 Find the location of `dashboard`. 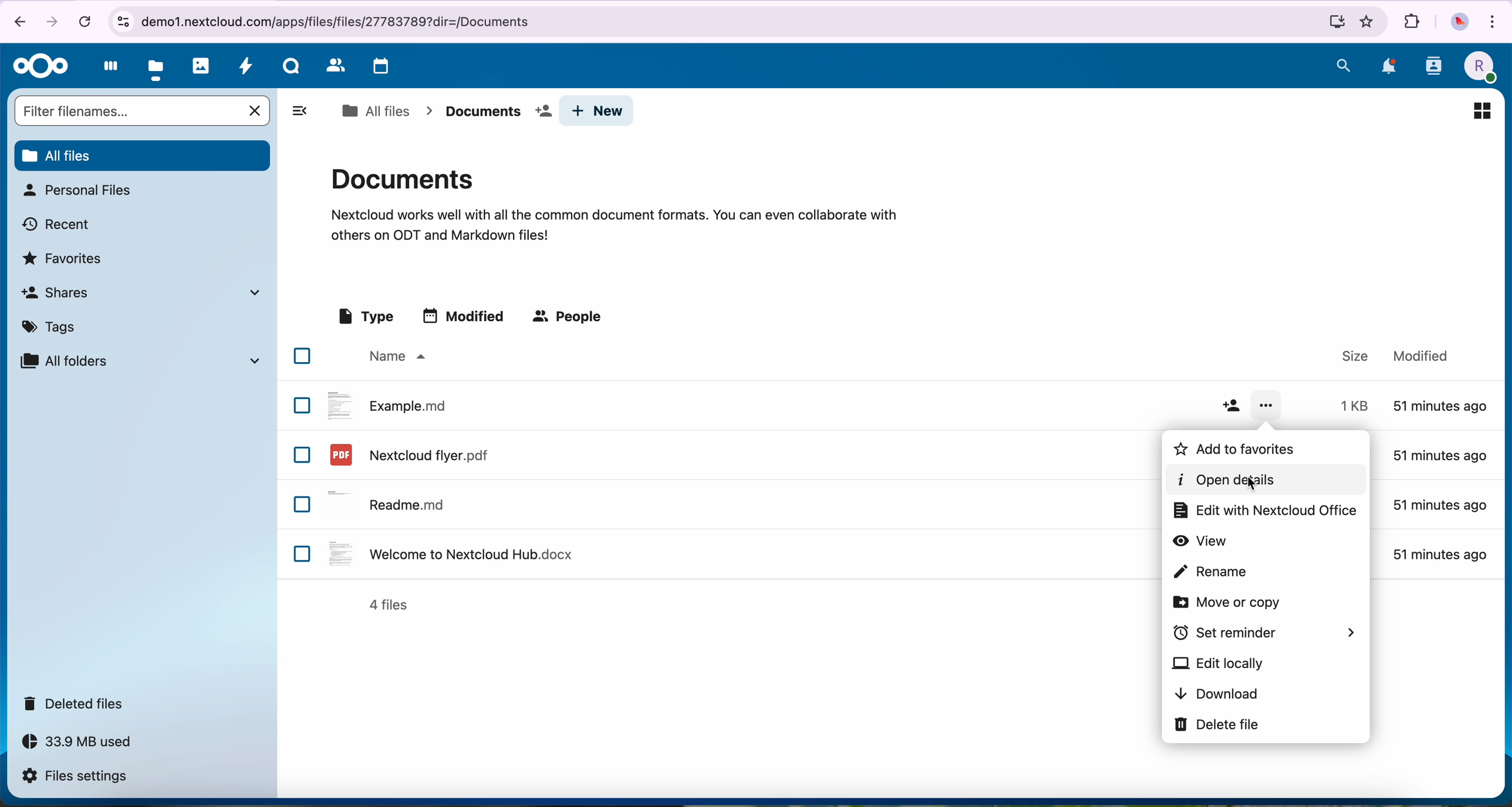

dashboard is located at coordinates (107, 69).